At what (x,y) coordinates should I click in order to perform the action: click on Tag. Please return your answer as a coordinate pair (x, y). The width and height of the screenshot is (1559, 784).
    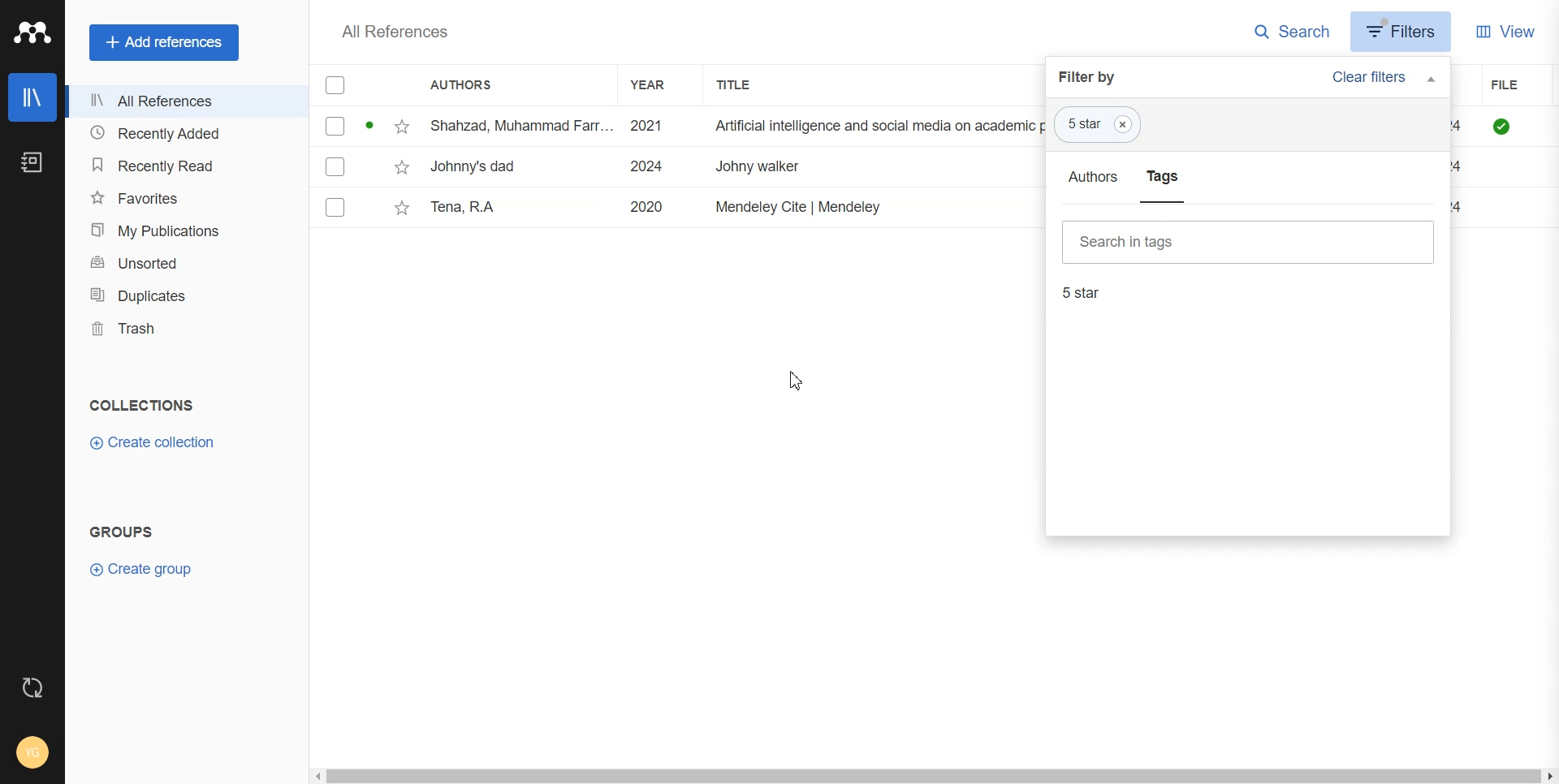
    Looking at the image, I should click on (1099, 123).